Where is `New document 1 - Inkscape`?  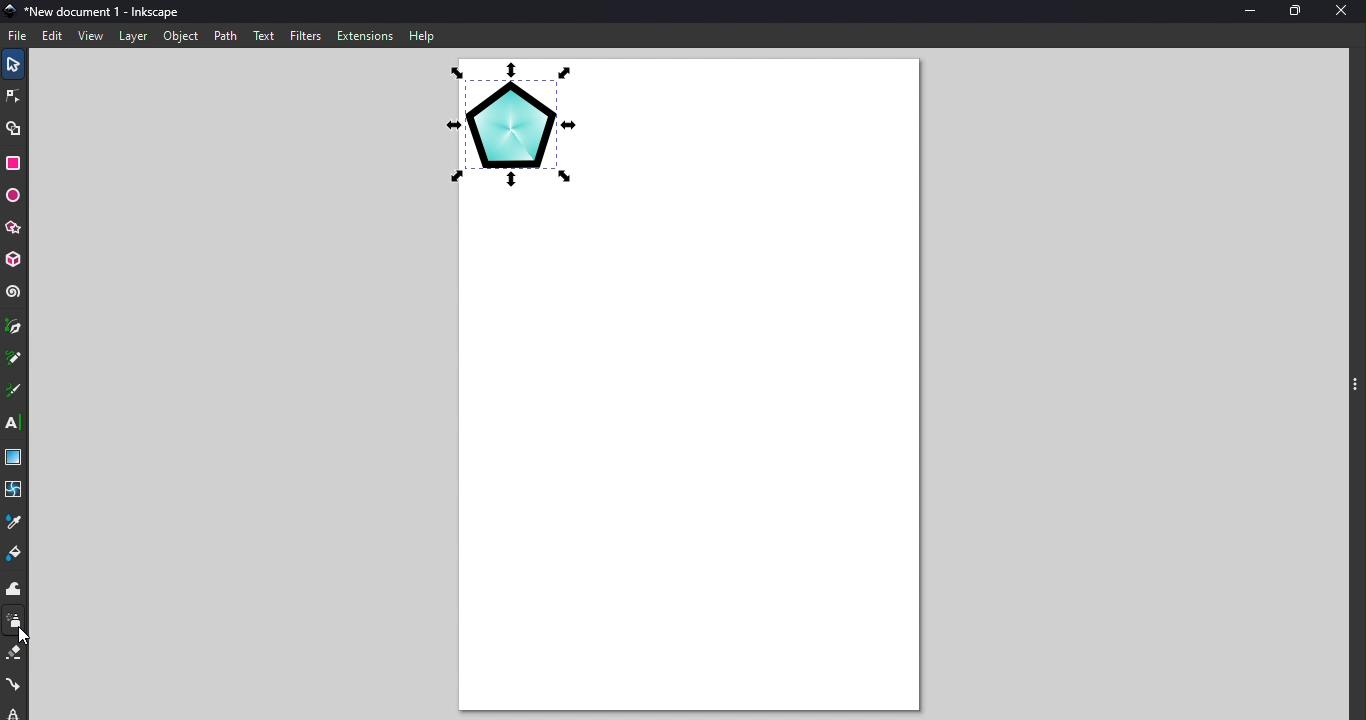
New document 1 - Inkscape is located at coordinates (106, 10).